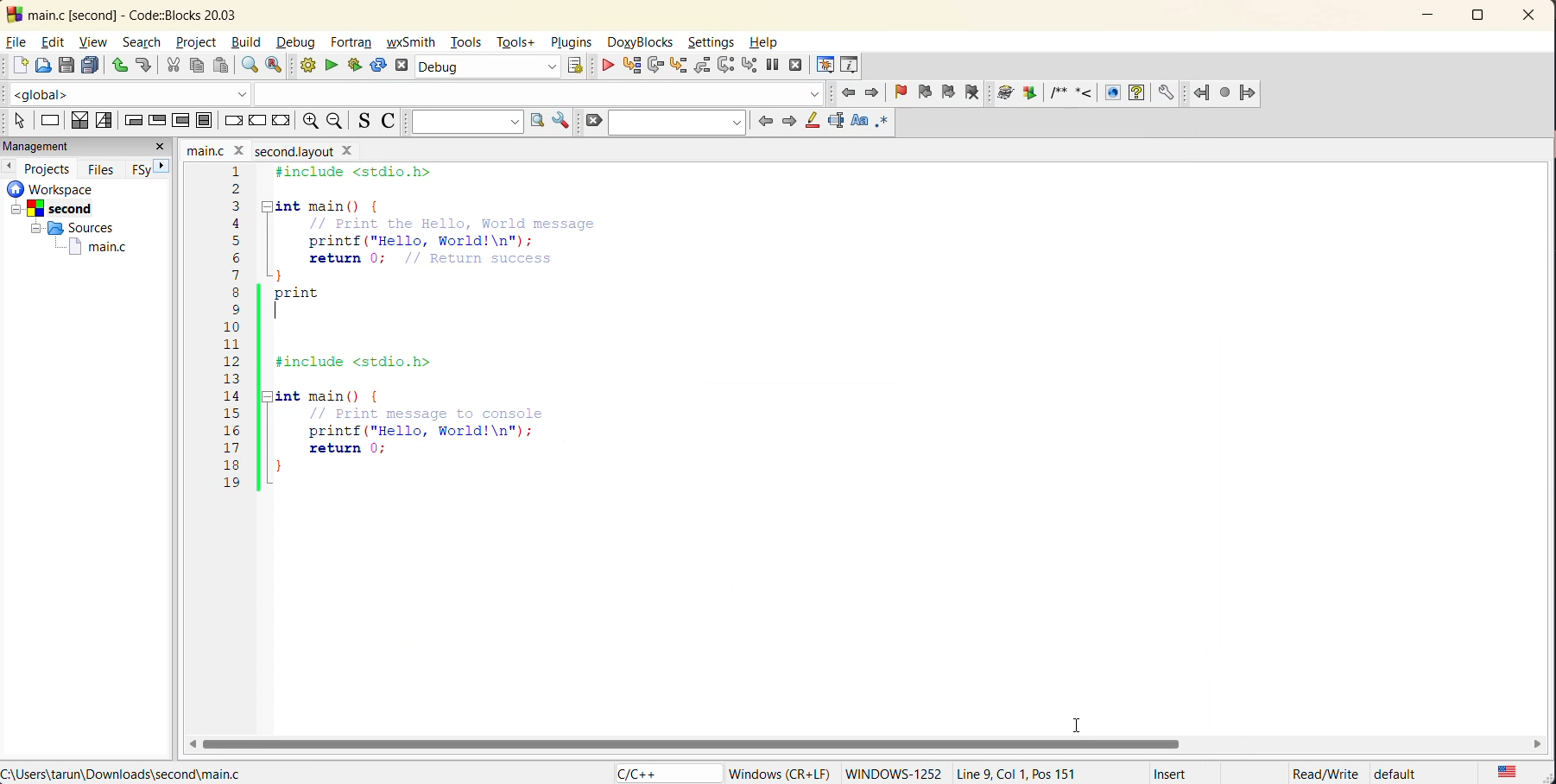 The image size is (1556, 784). I want to click on code completion compiler, so click(418, 93).